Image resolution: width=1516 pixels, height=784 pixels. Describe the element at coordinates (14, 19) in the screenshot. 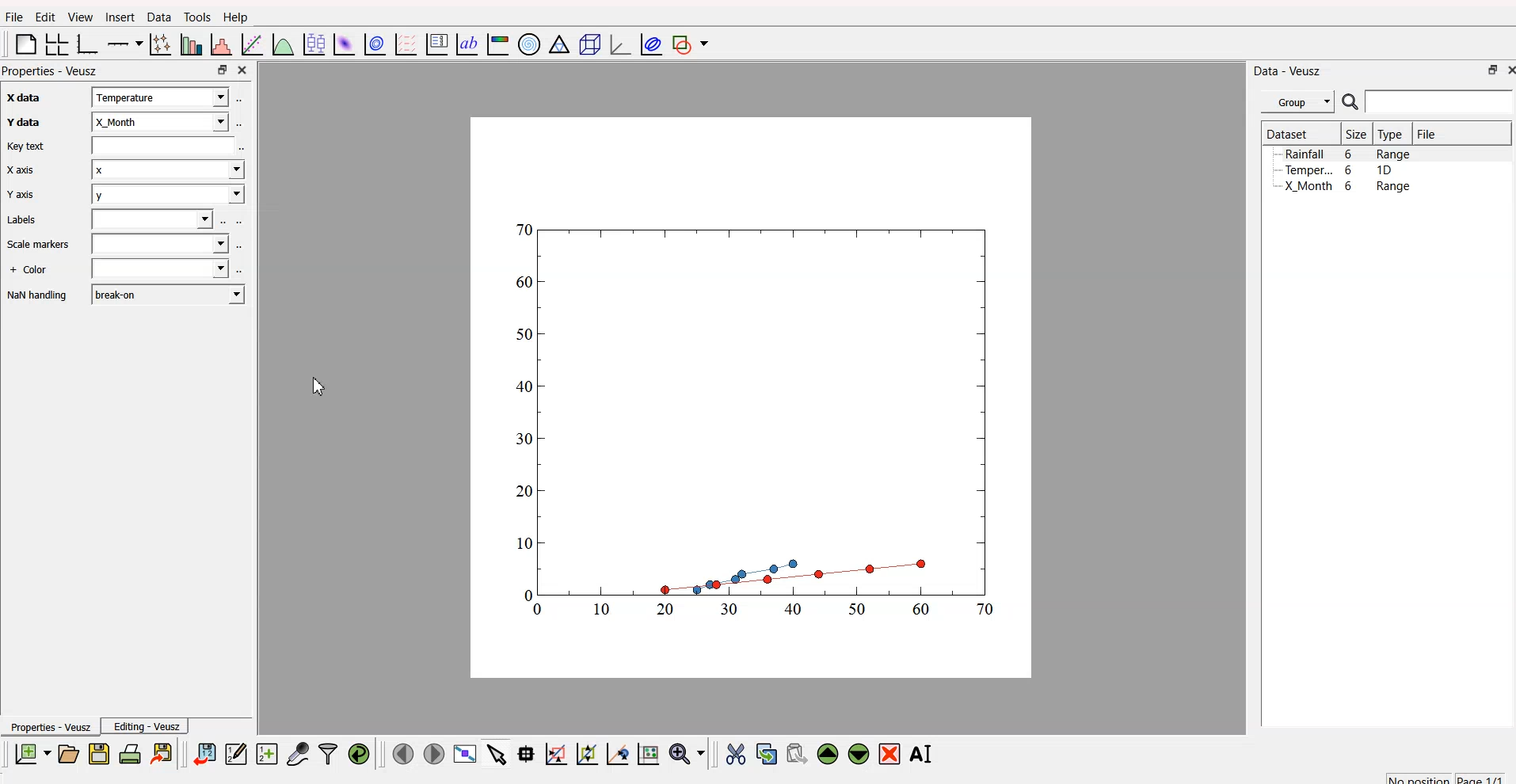

I see `Flle` at that location.